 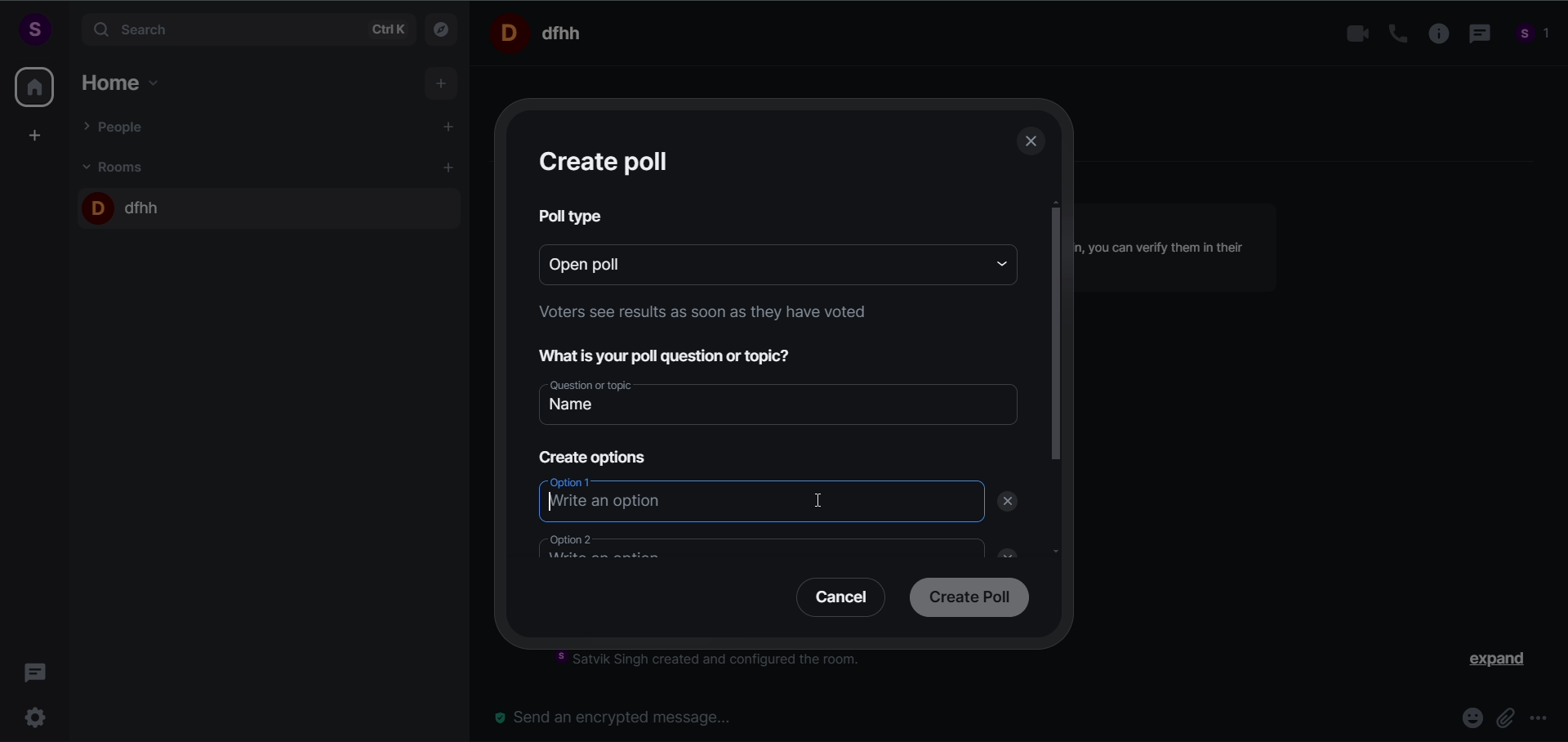 What do you see at coordinates (761, 500) in the screenshot?
I see `option 1` at bounding box center [761, 500].